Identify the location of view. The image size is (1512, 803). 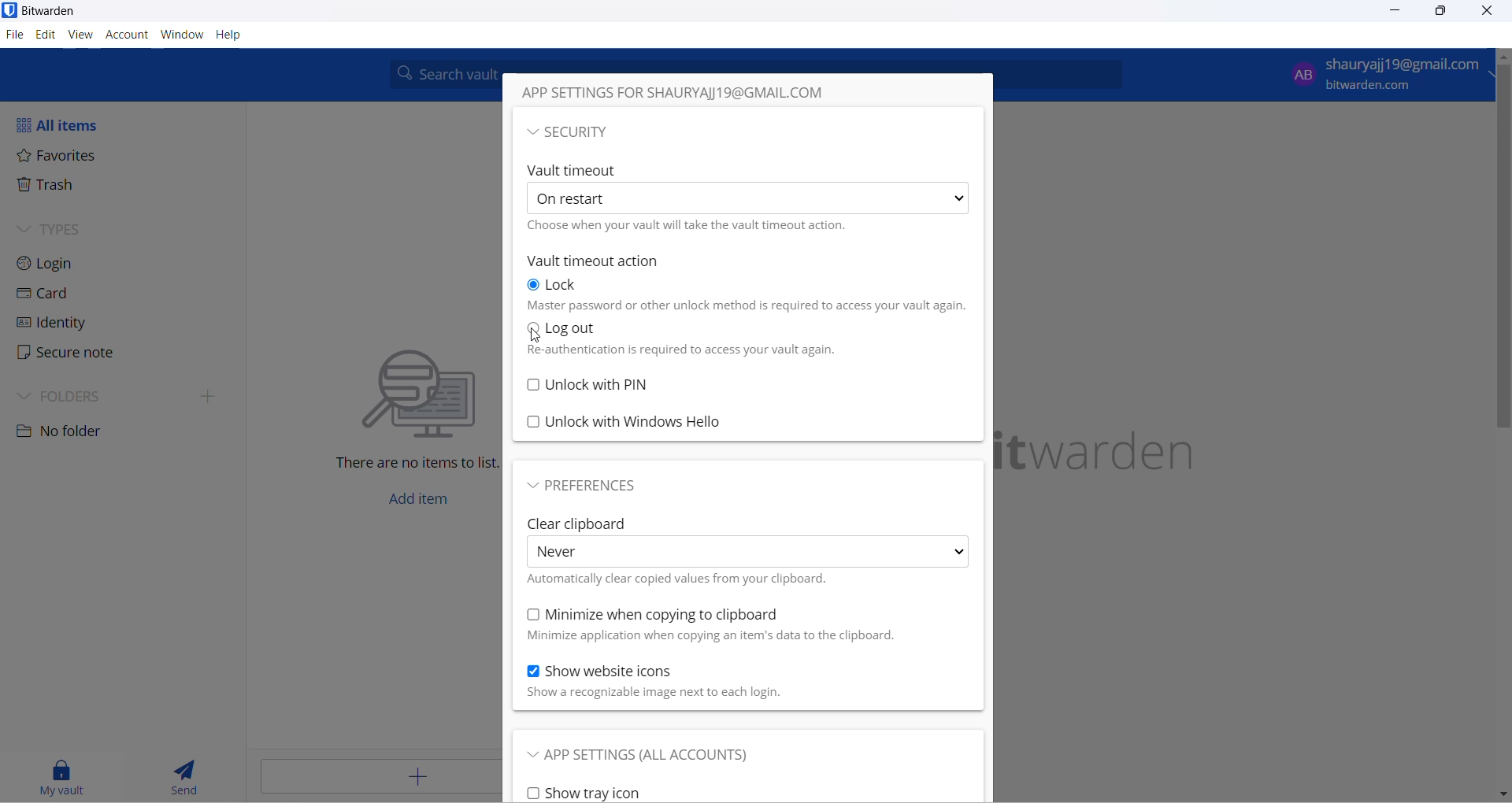
(81, 34).